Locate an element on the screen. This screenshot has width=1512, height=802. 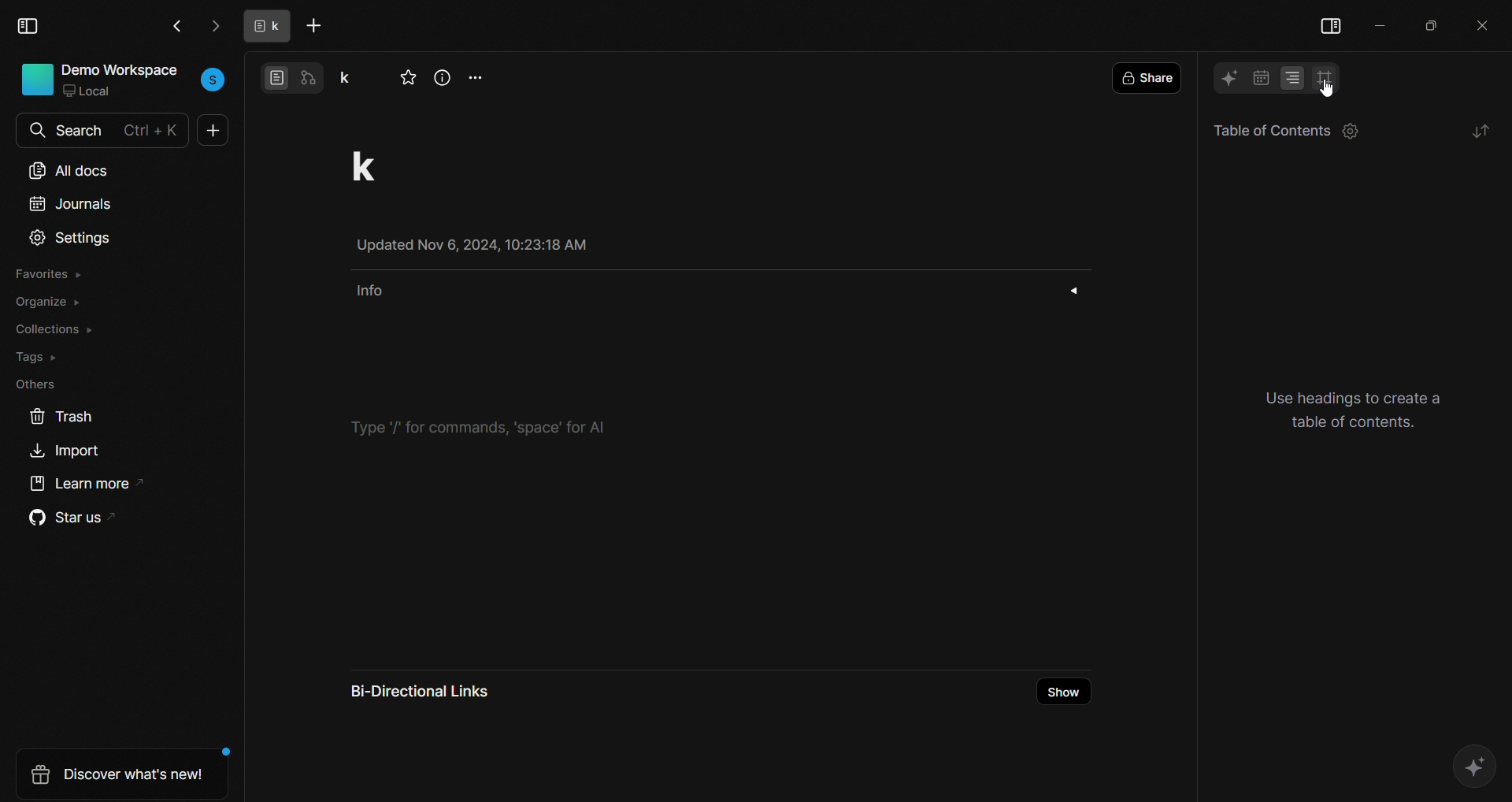
collections is located at coordinates (55, 329).